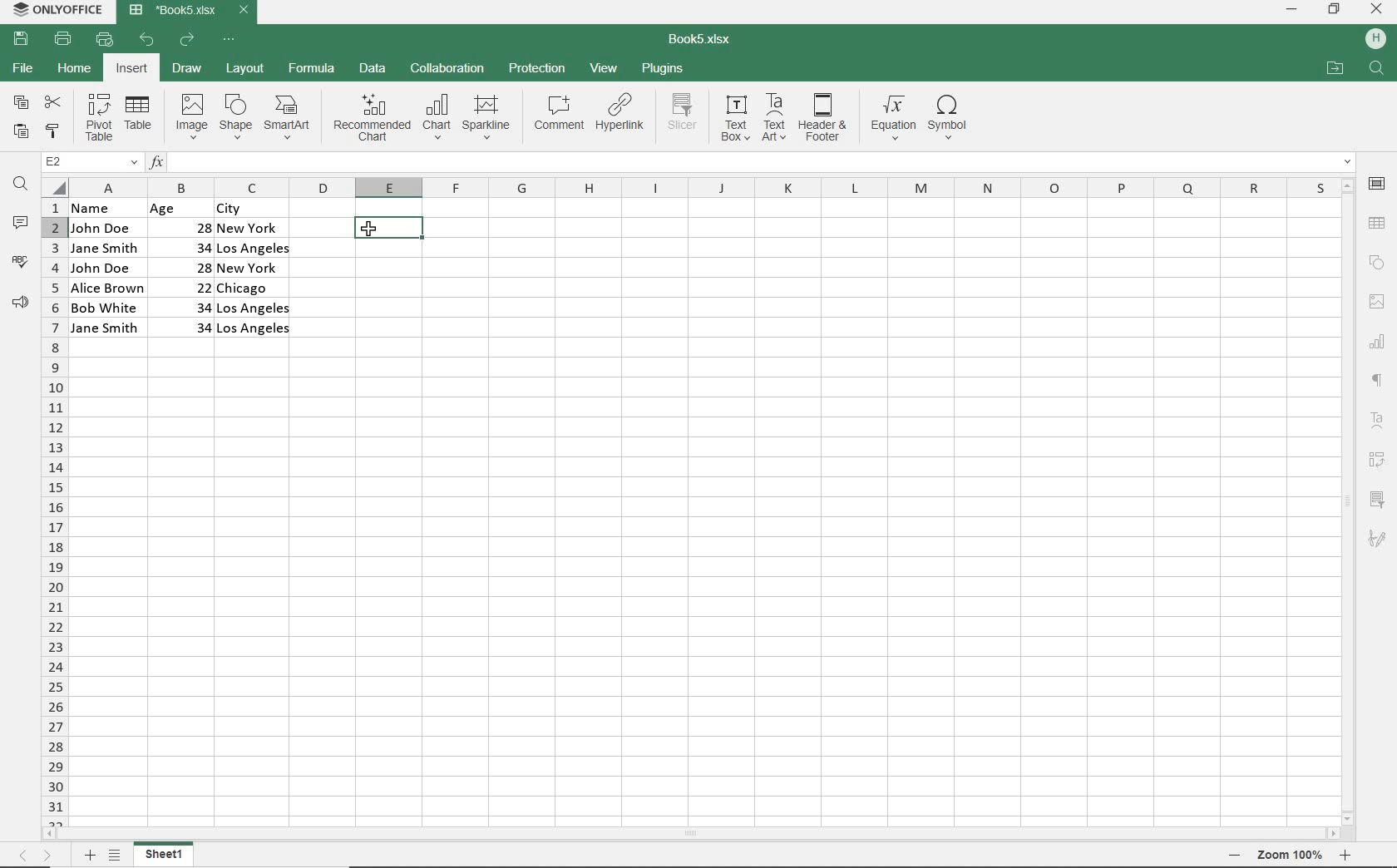  What do you see at coordinates (190, 286) in the screenshot?
I see `22` at bounding box center [190, 286].